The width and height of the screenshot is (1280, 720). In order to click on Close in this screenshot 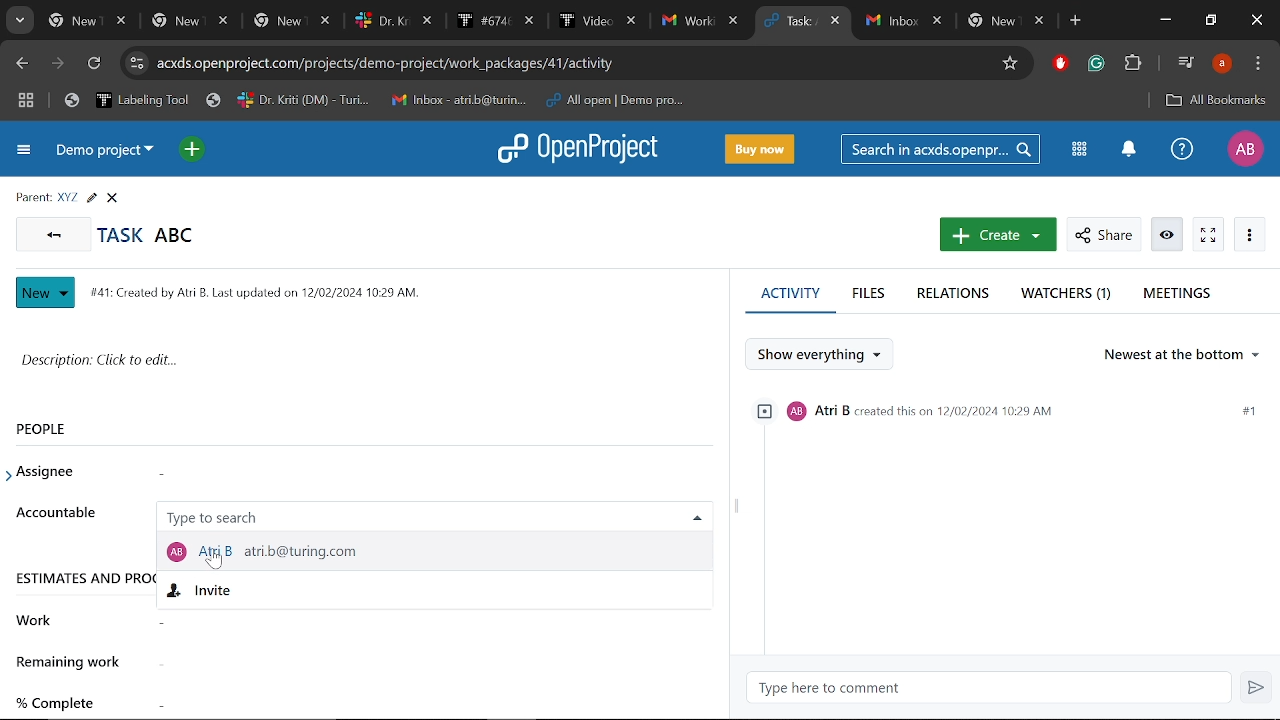, I will do `click(113, 200)`.